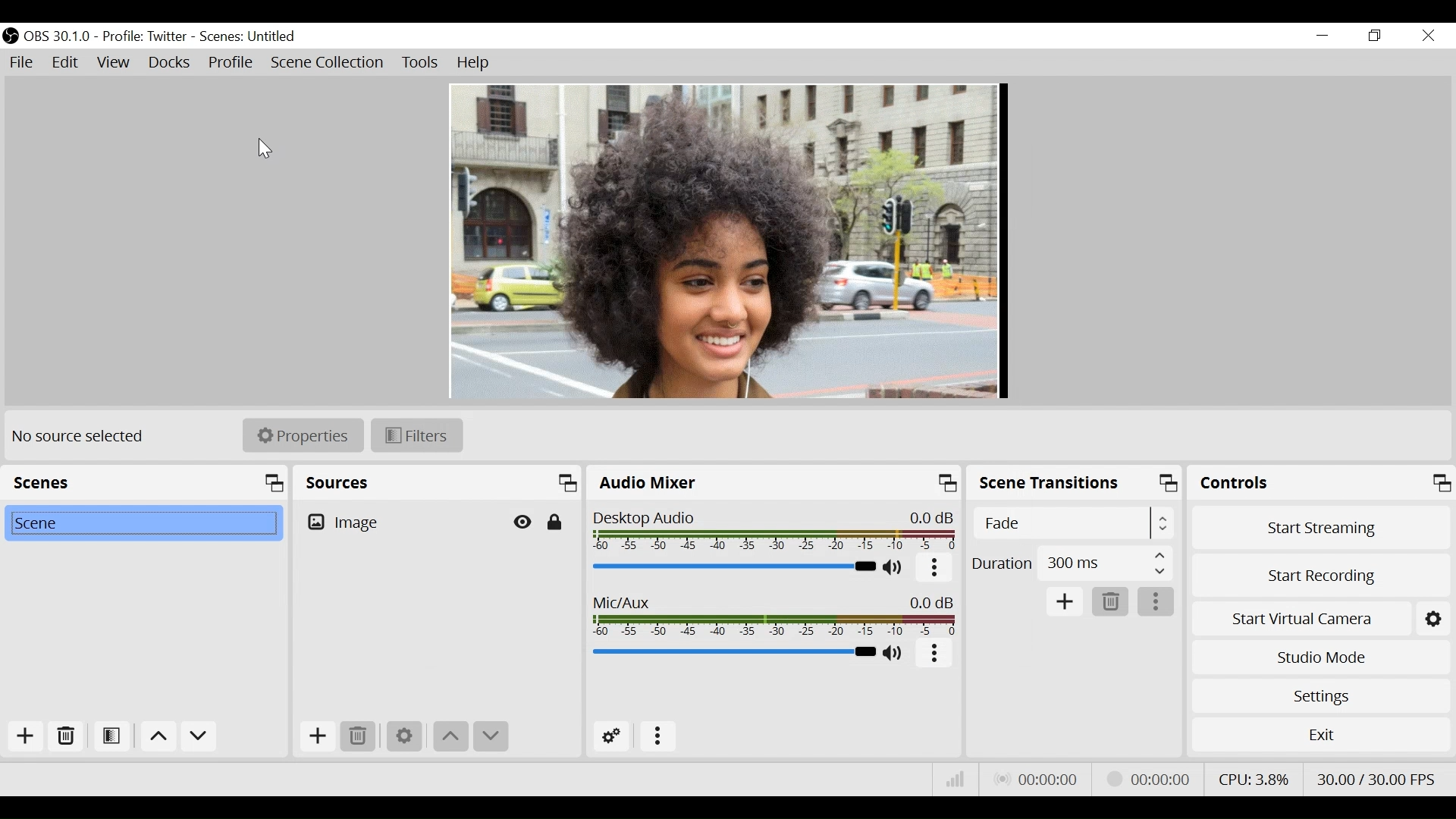 This screenshot has height=819, width=1456. What do you see at coordinates (491, 736) in the screenshot?
I see `Move down` at bounding box center [491, 736].